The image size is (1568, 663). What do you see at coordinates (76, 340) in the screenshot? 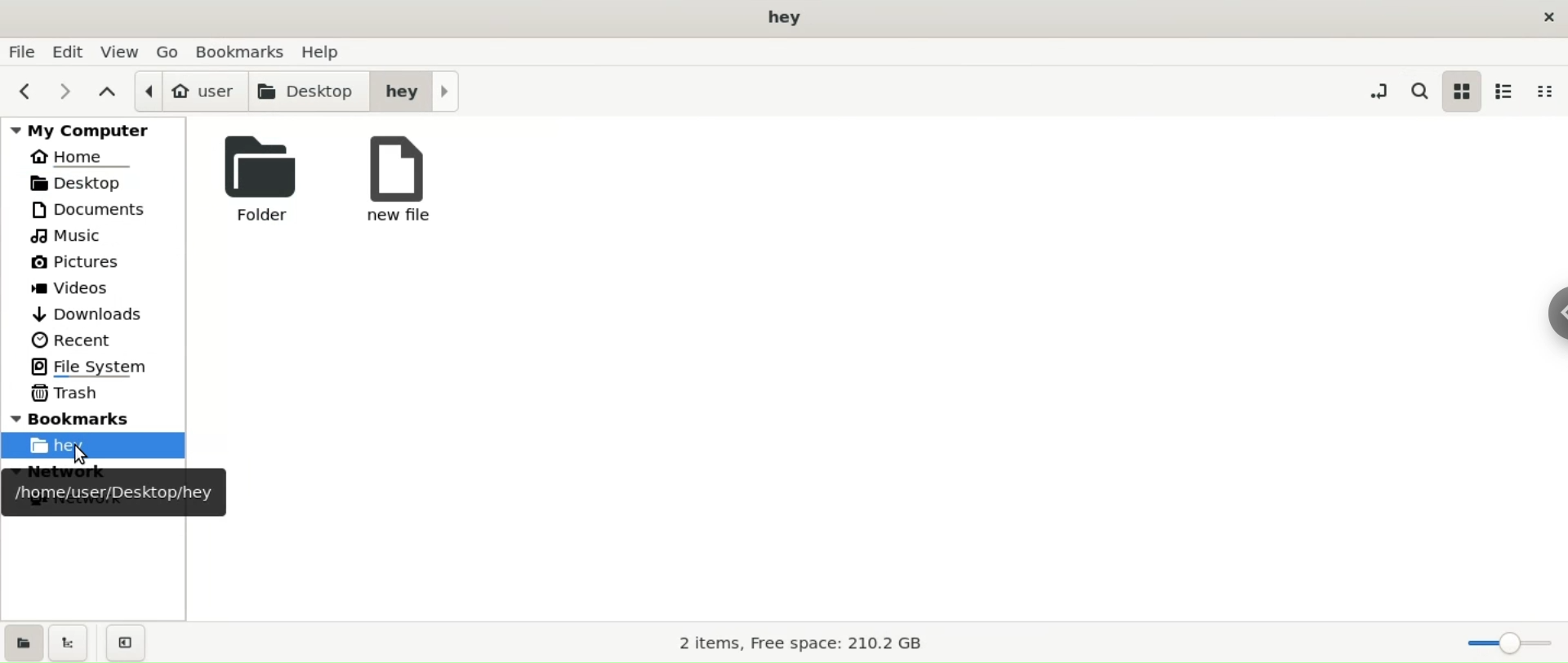
I see `recent` at bounding box center [76, 340].